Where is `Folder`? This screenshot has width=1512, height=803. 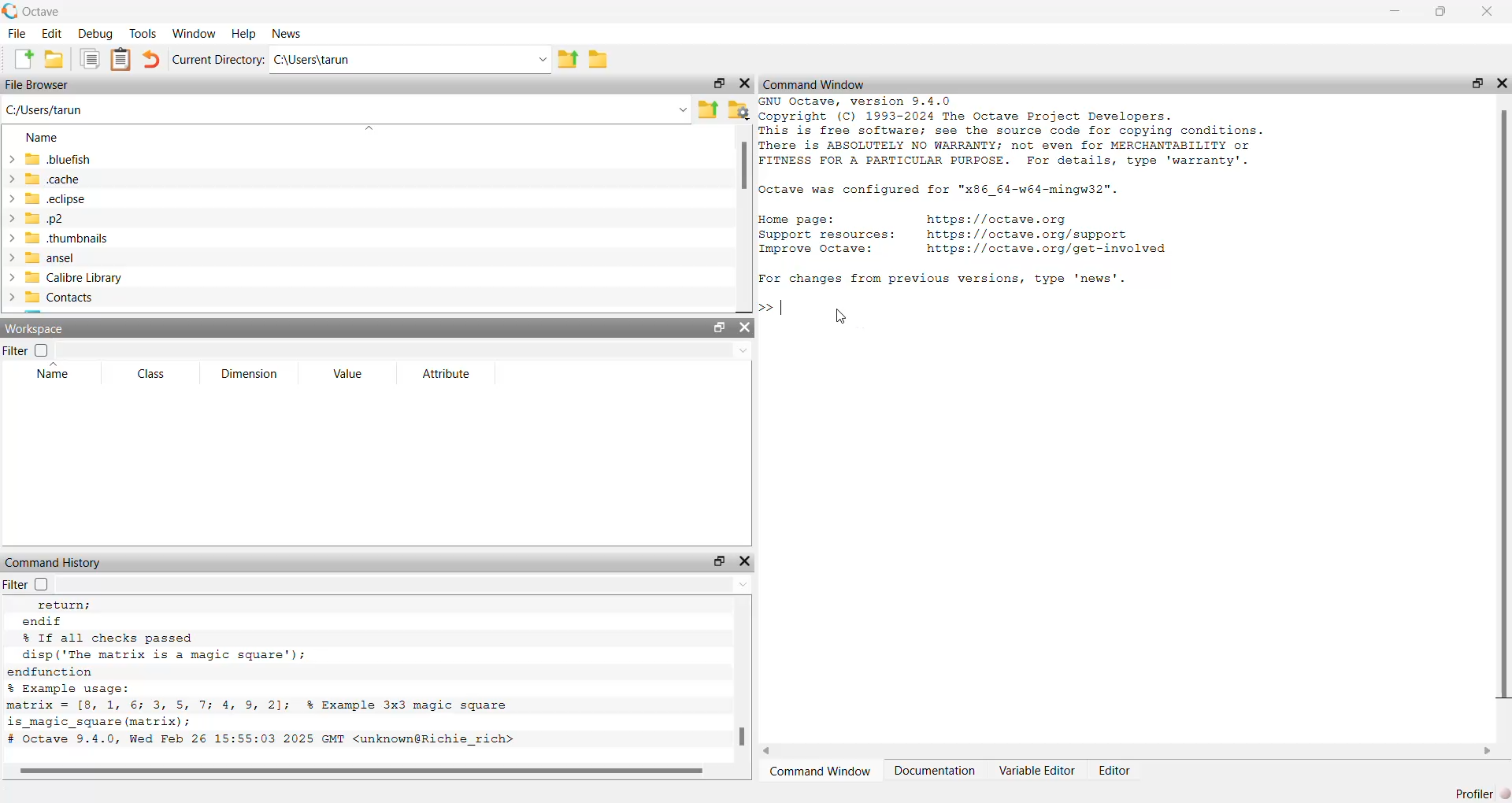
Folder is located at coordinates (600, 59).